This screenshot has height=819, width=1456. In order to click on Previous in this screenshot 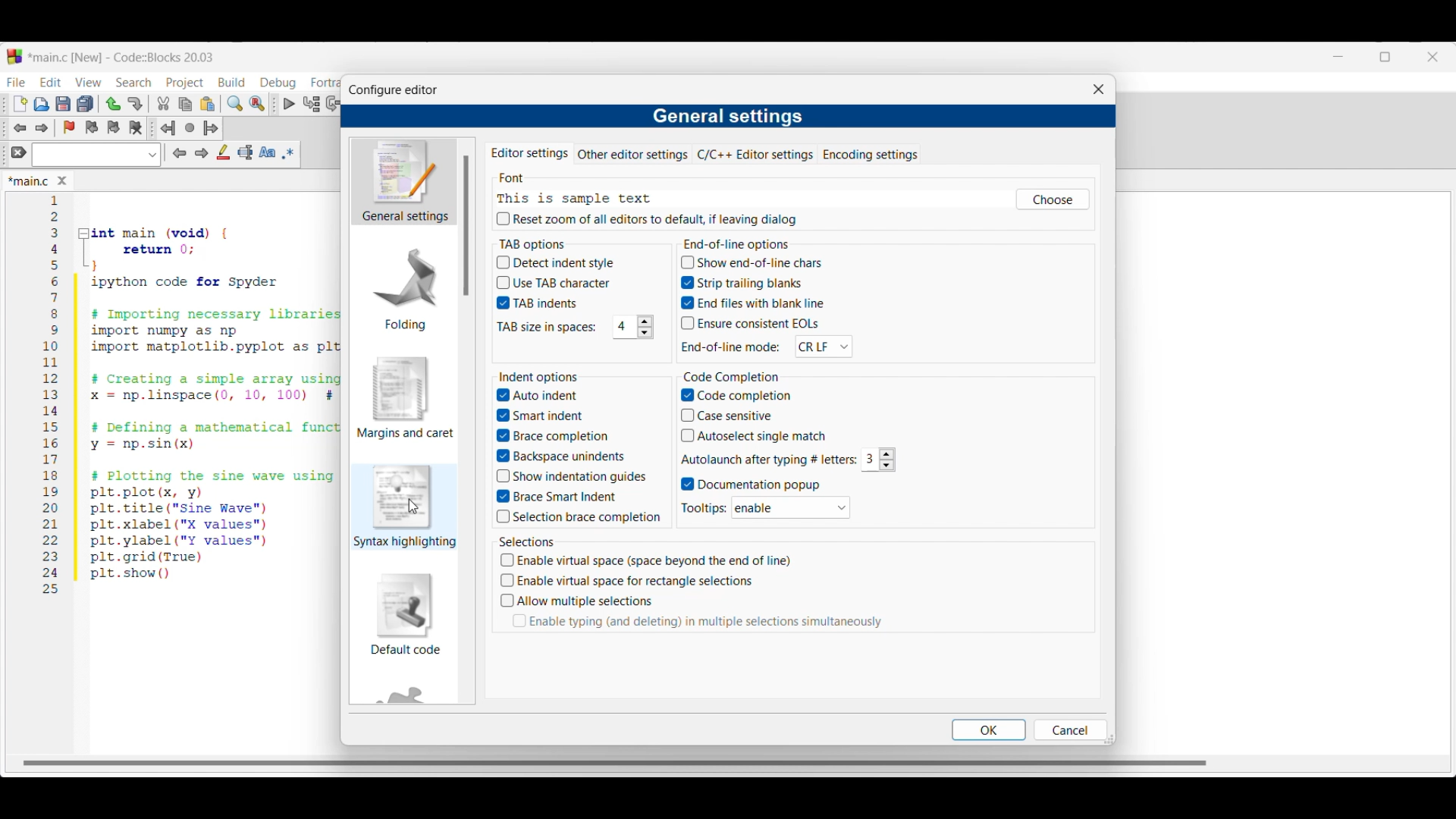, I will do `click(180, 153)`.